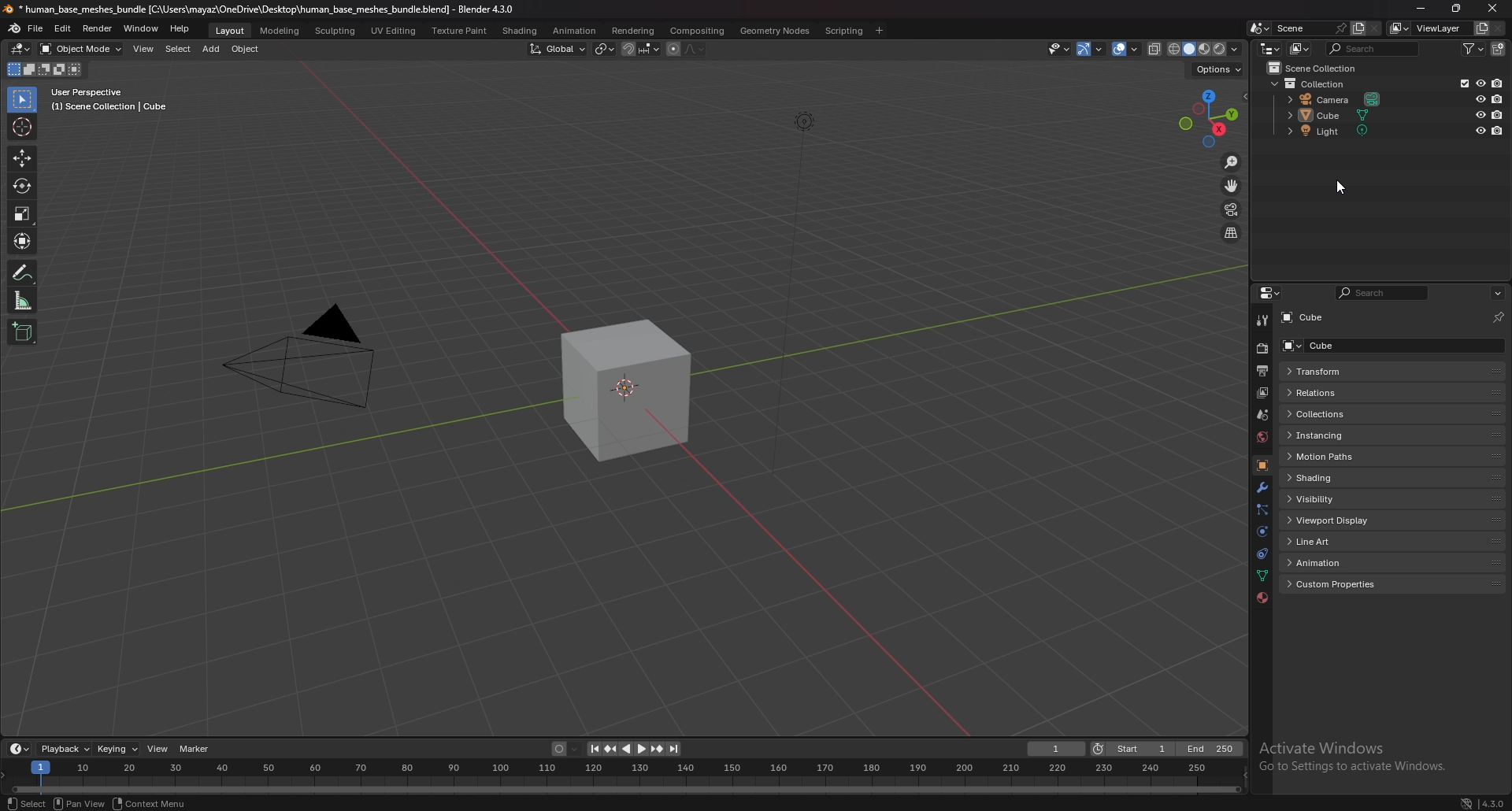 This screenshot has height=811, width=1512. Describe the element at coordinates (593, 749) in the screenshot. I see `jump to endpoint` at that location.